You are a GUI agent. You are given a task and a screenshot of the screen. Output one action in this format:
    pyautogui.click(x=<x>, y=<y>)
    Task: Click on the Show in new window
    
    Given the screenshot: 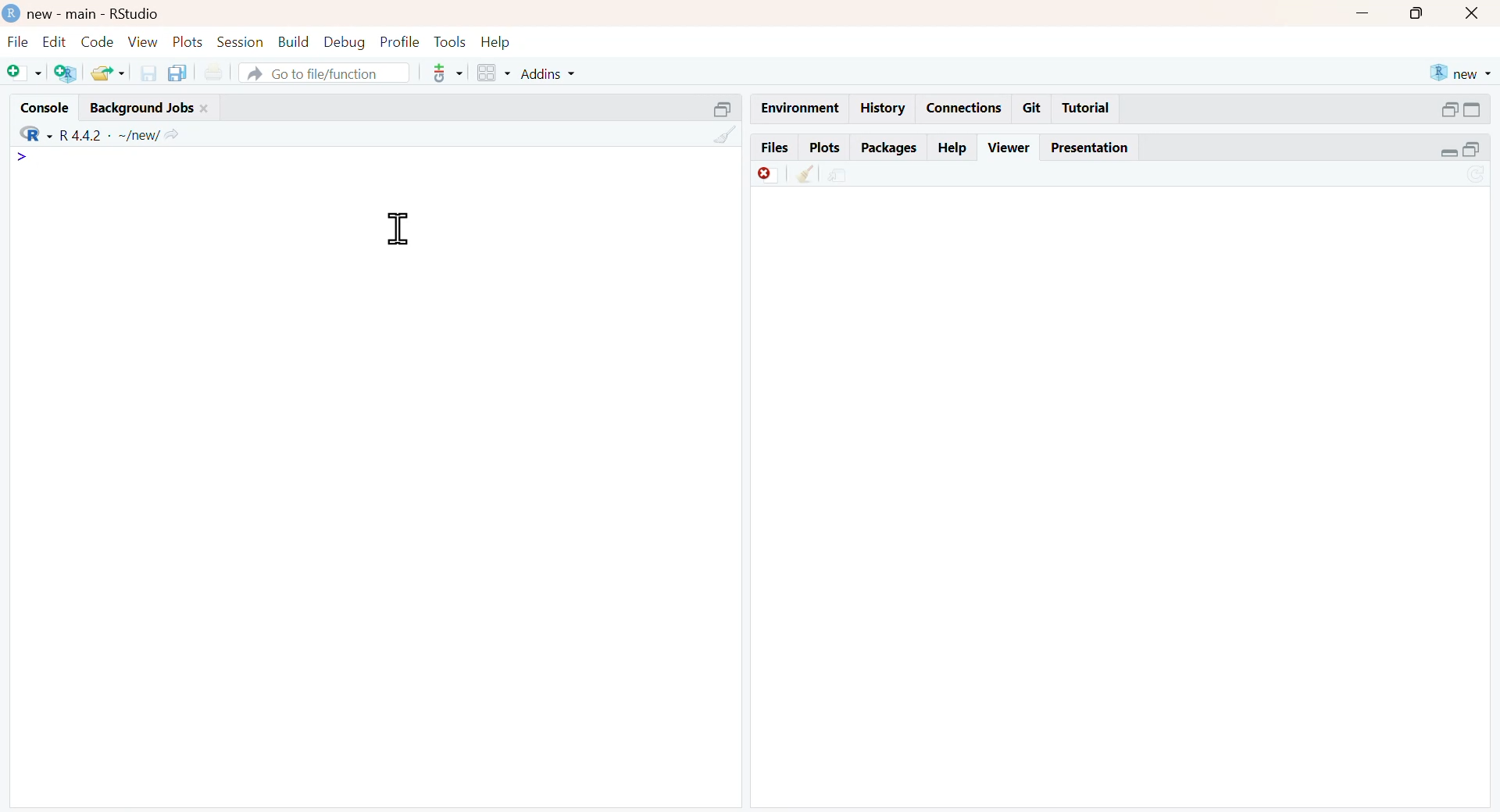 What is the action you would take?
    pyautogui.click(x=837, y=173)
    